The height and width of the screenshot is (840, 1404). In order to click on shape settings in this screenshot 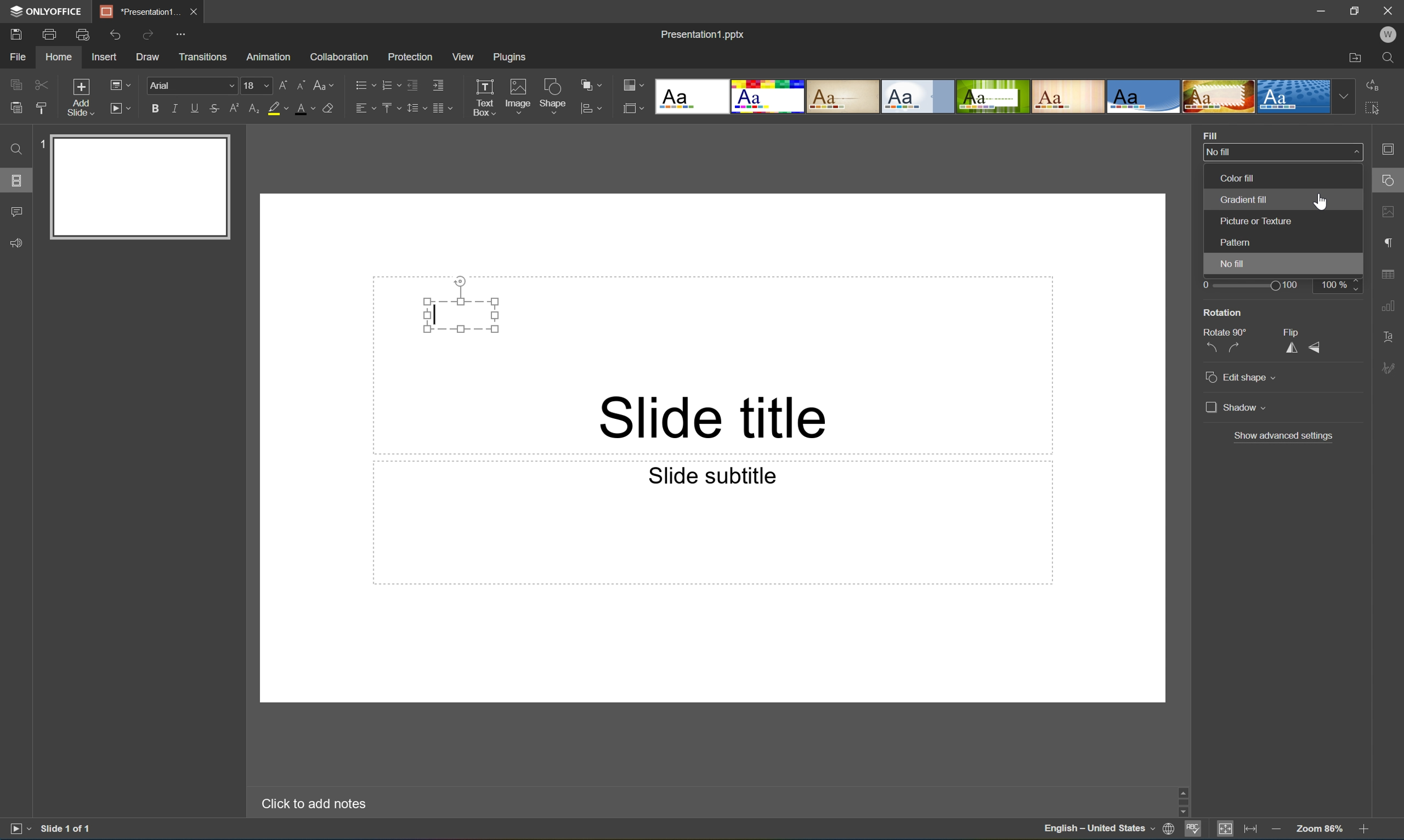, I will do `click(1390, 181)`.